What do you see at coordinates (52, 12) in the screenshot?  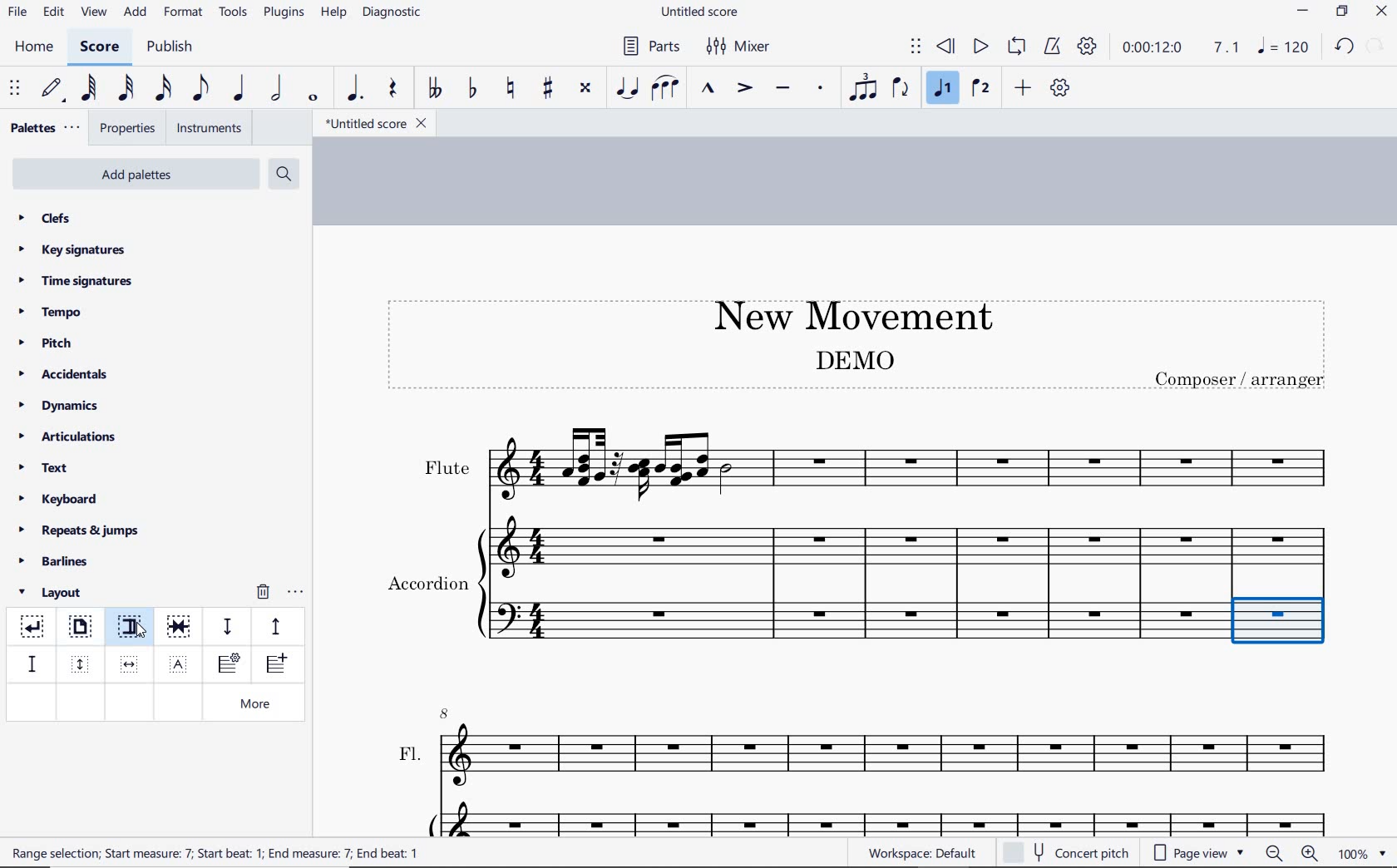 I see `edit` at bounding box center [52, 12].